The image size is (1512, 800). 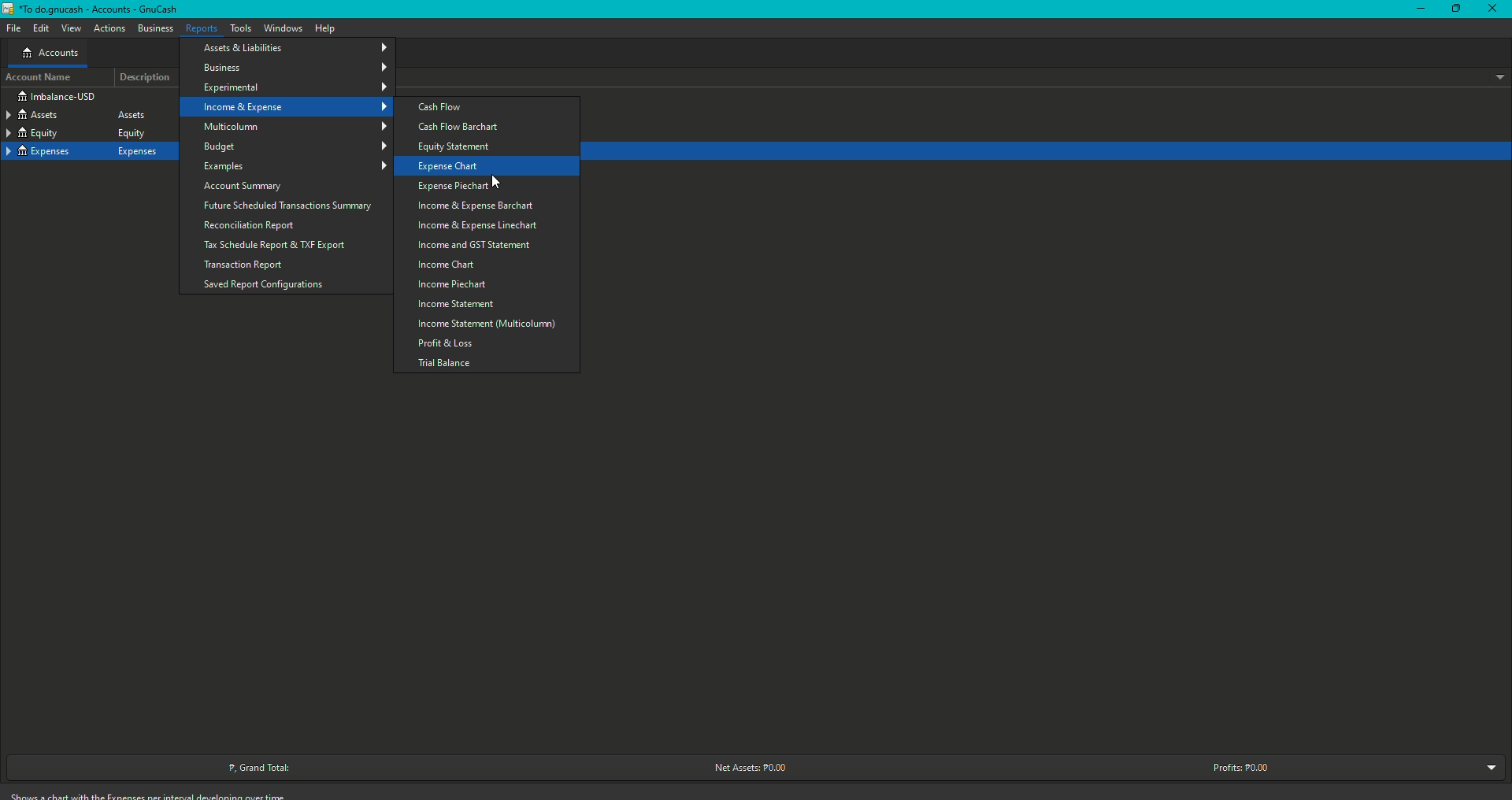 I want to click on Expense Chart, so click(x=447, y=167).